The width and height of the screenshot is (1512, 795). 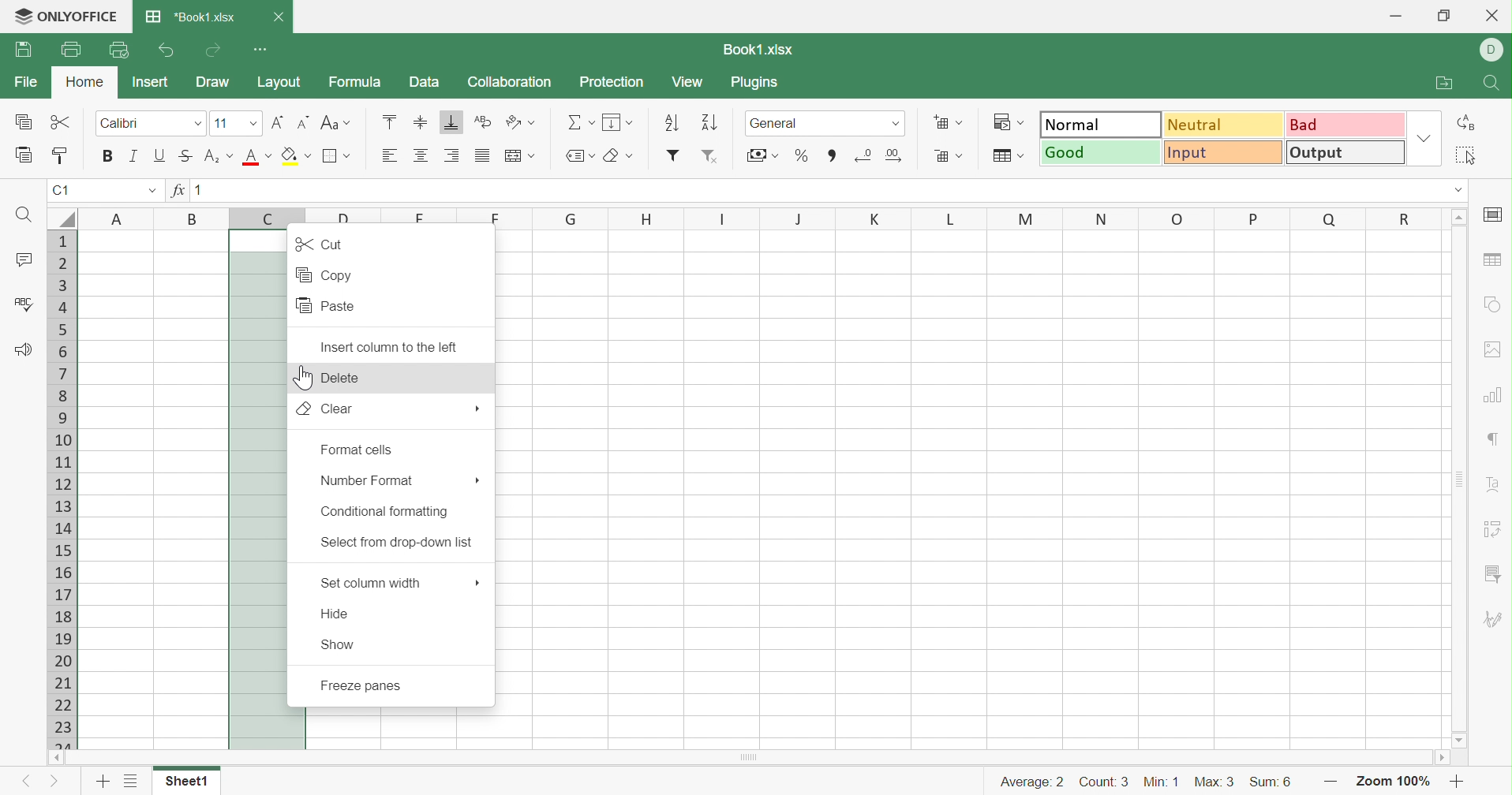 What do you see at coordinates (132, 782) in the screenshot?
I see `List of sheets` at bounding box center [132, 782].